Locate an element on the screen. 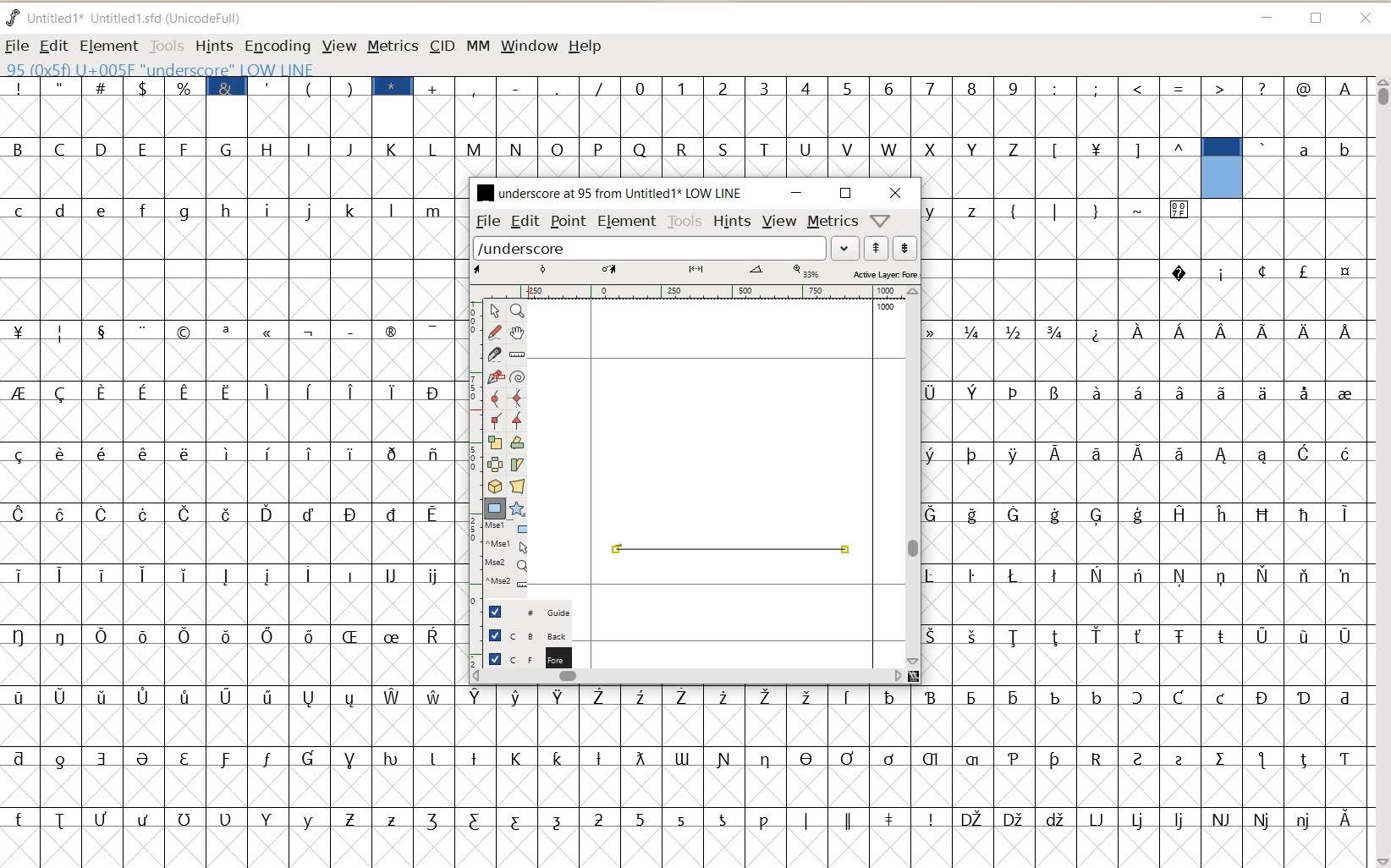 Image resolution: width=1391 pixels, height=868 pixels. pointer is located at coordinates (493, 311).